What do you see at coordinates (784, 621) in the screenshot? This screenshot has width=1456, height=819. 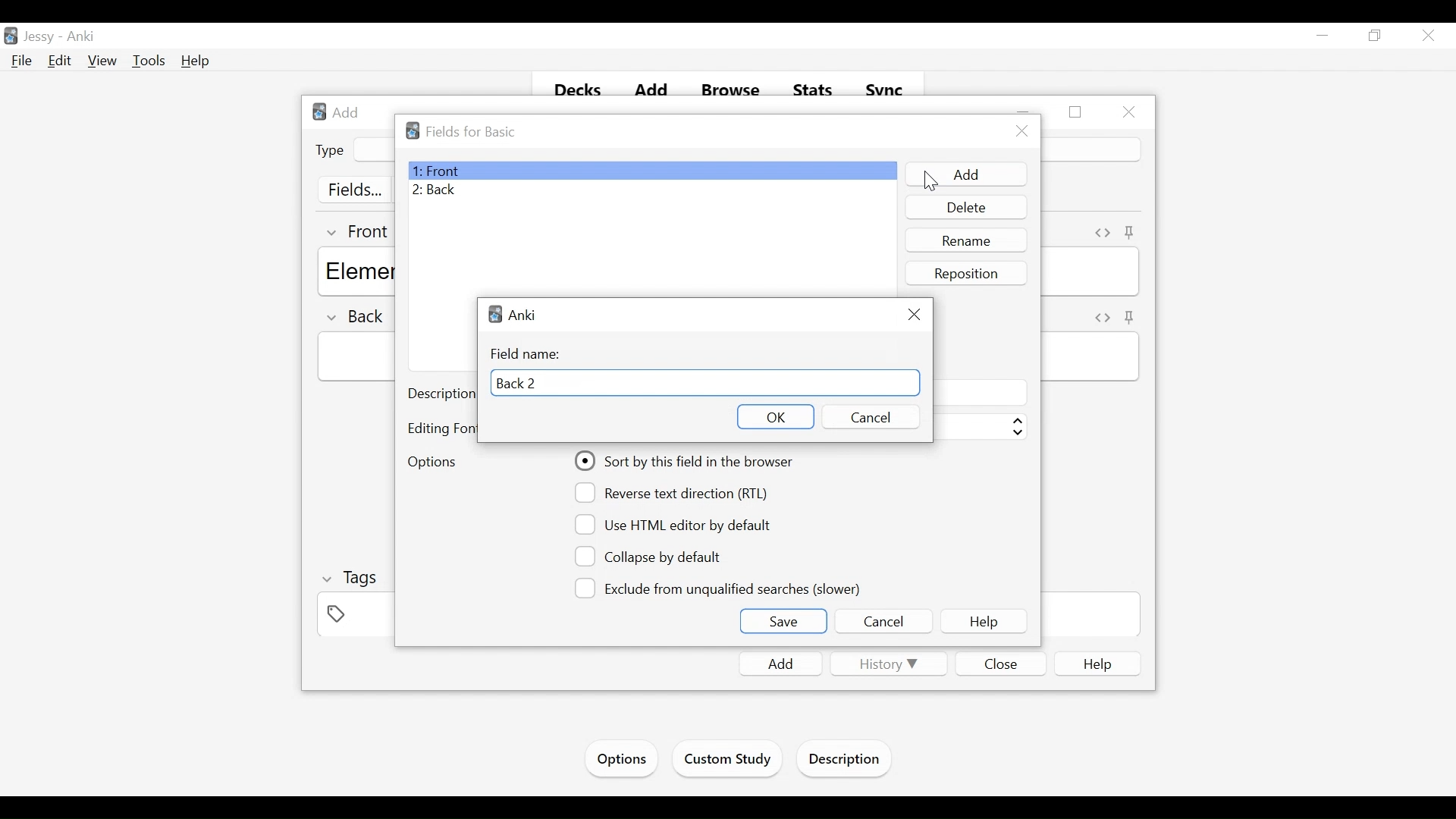 I see `Save` at bounding box center [784, 621].